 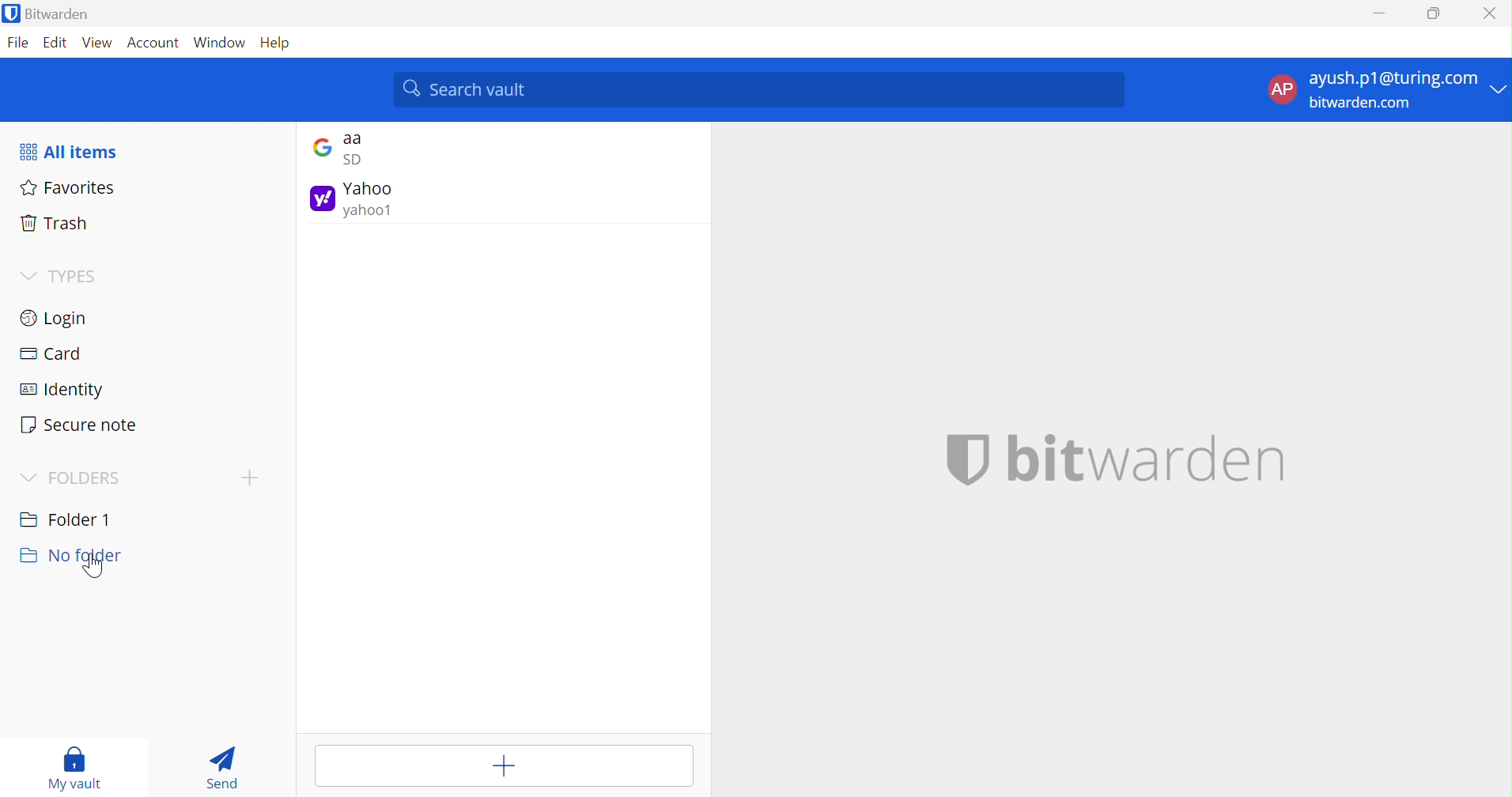 What do you see at coordinates (79, 427) in the screenshot?
I see `Secure note` at bounding box center [79, 427].